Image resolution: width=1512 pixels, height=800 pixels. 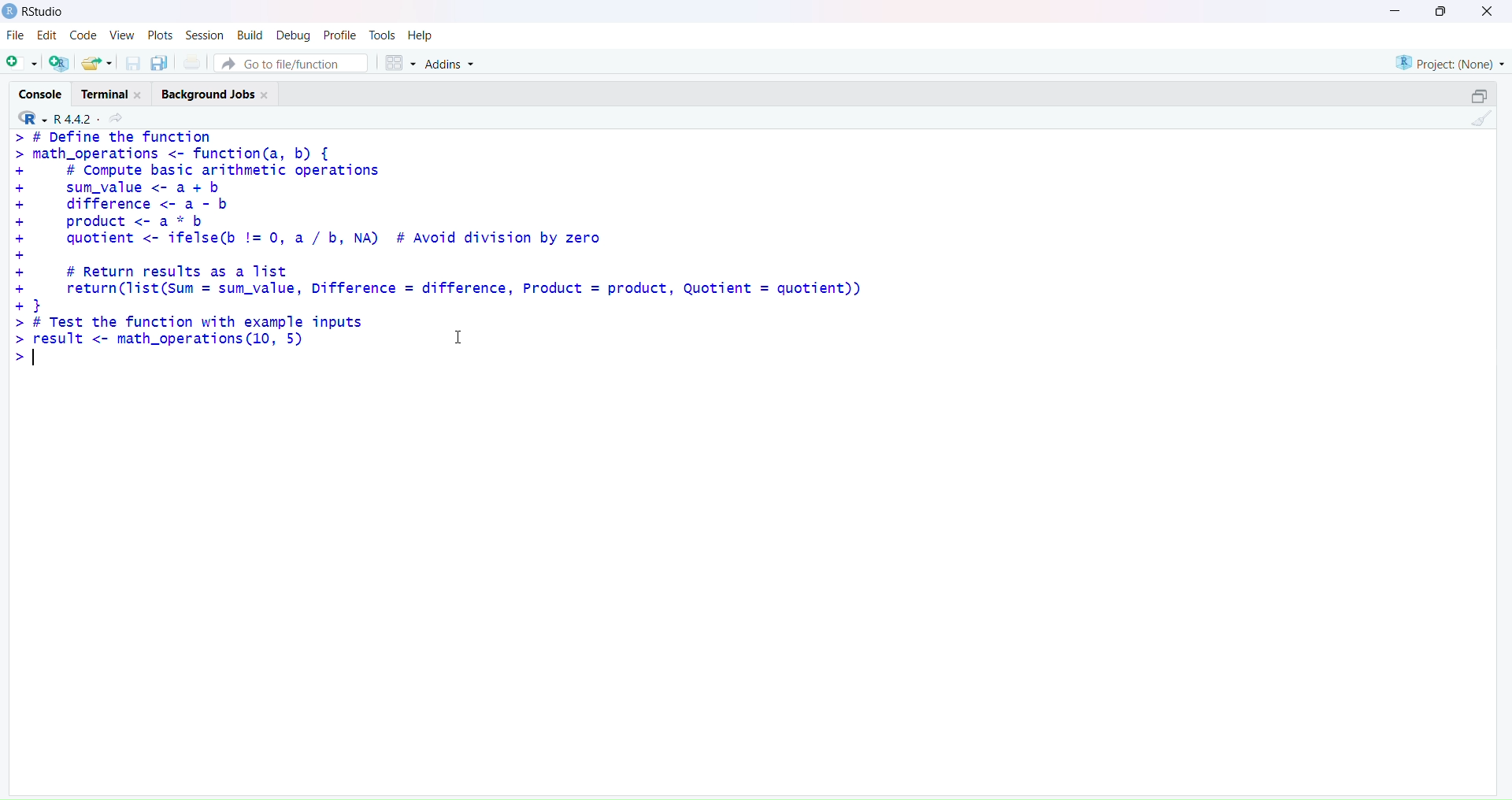 What do you see at coordinates (119, 119) in the screenshot?
I see `View the current working directory` at bounding box center [119, 119].